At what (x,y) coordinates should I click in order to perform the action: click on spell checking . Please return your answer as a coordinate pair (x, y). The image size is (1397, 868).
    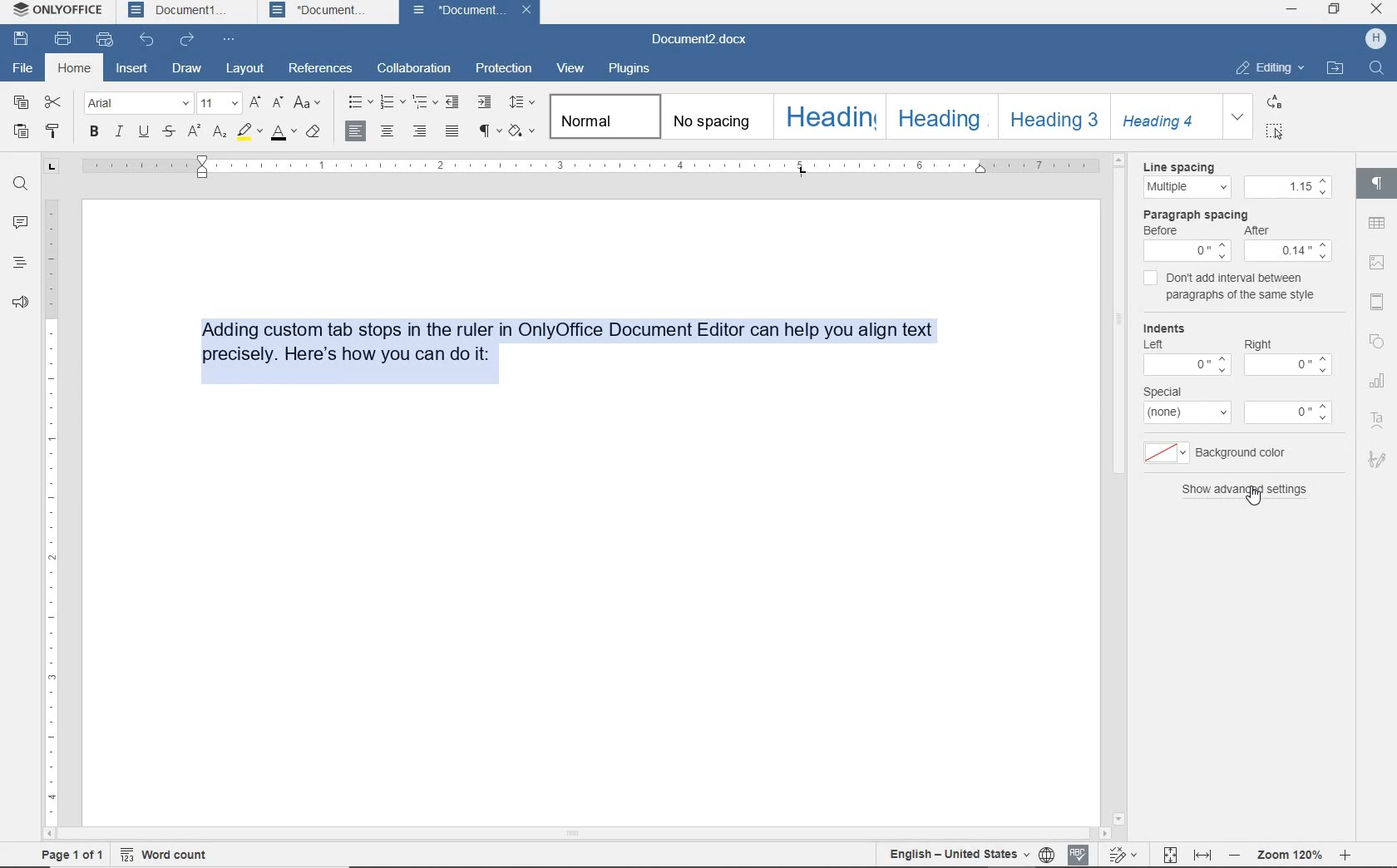
    Looking at the image, I should click on (1079, 854).